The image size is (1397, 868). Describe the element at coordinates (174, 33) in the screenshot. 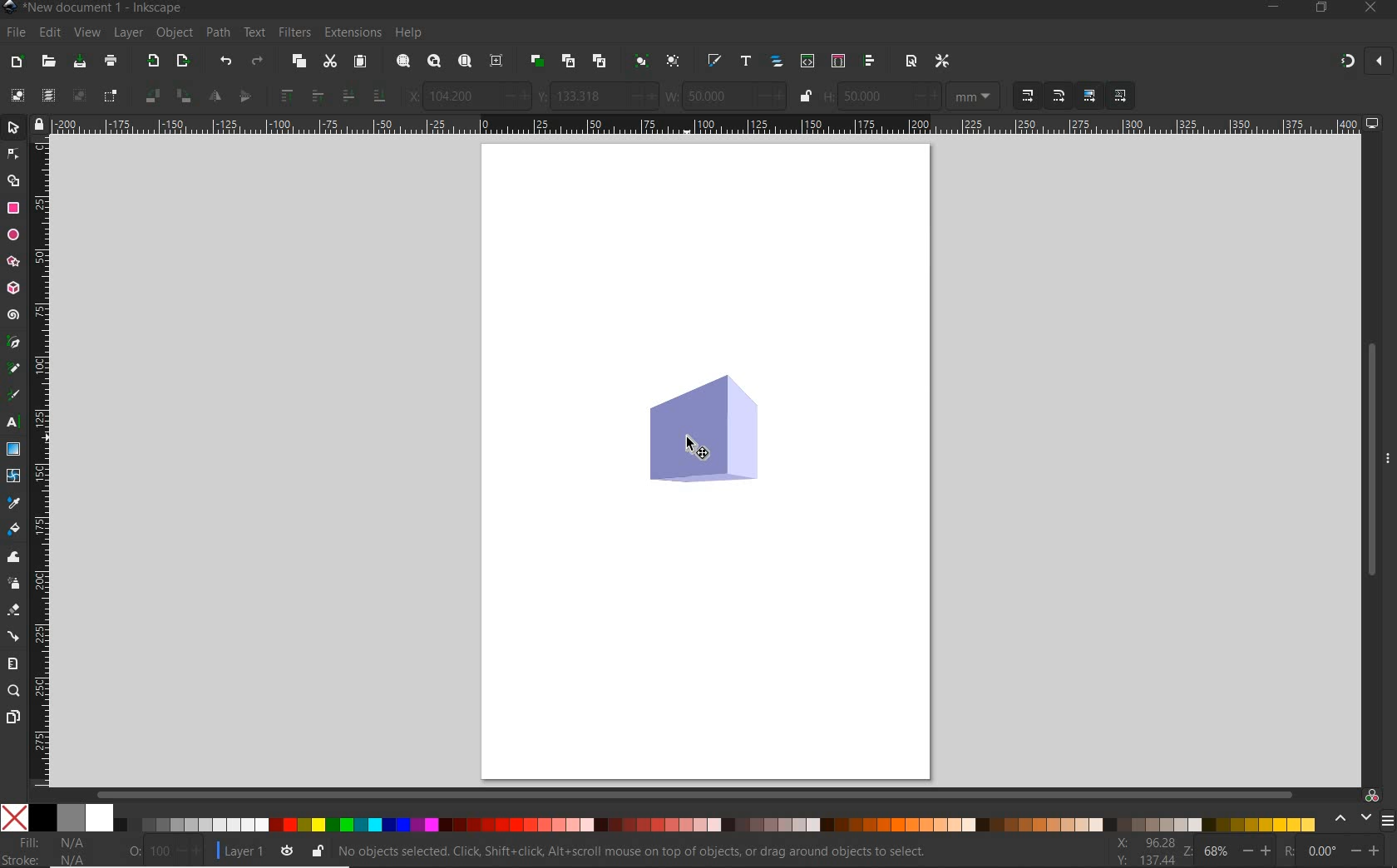

I see `object` at that location.